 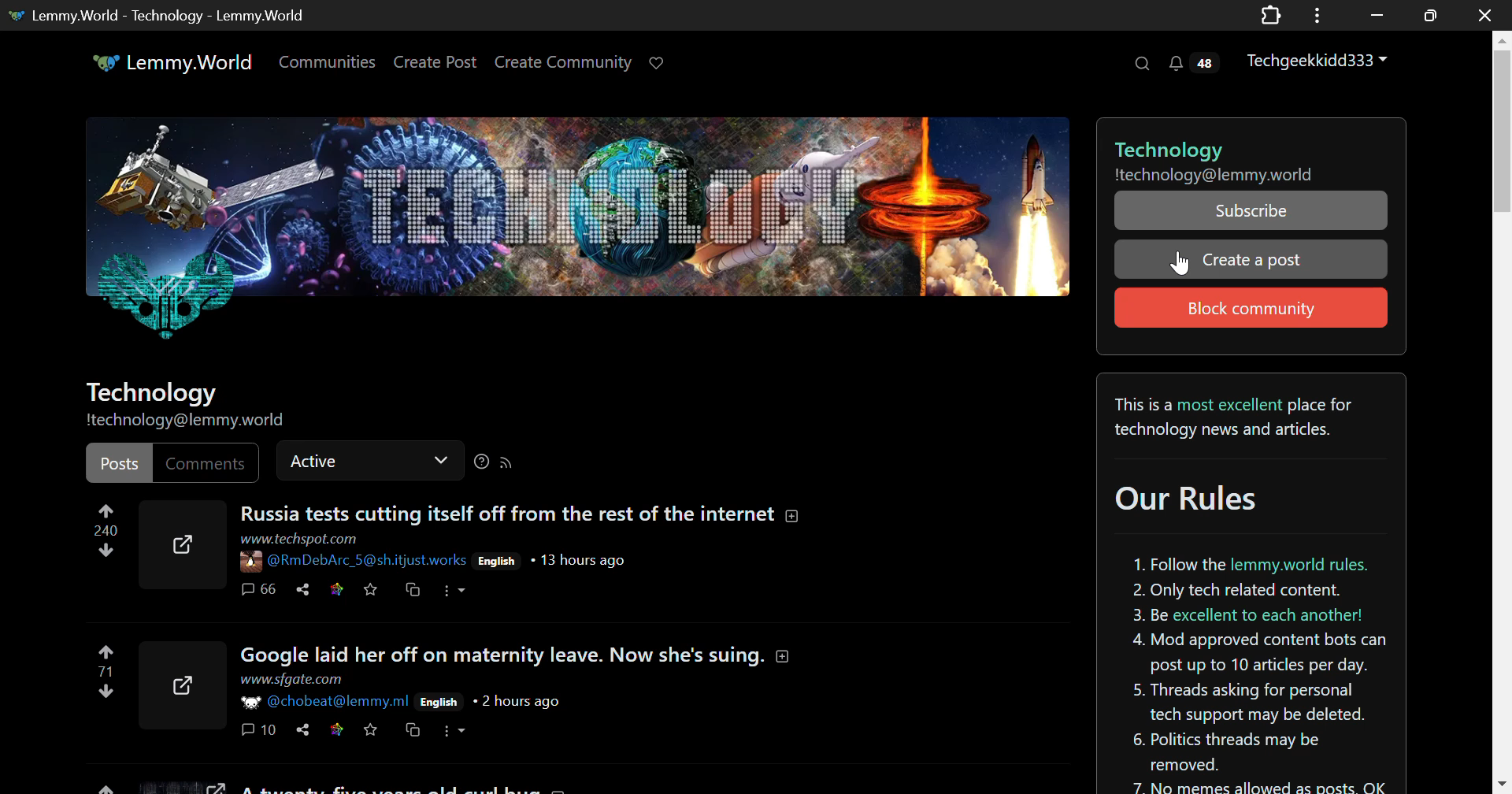 What do you see at coordinates (155, 391) in the screenshot?
I see `Technology` at bounding box center [155, 391].